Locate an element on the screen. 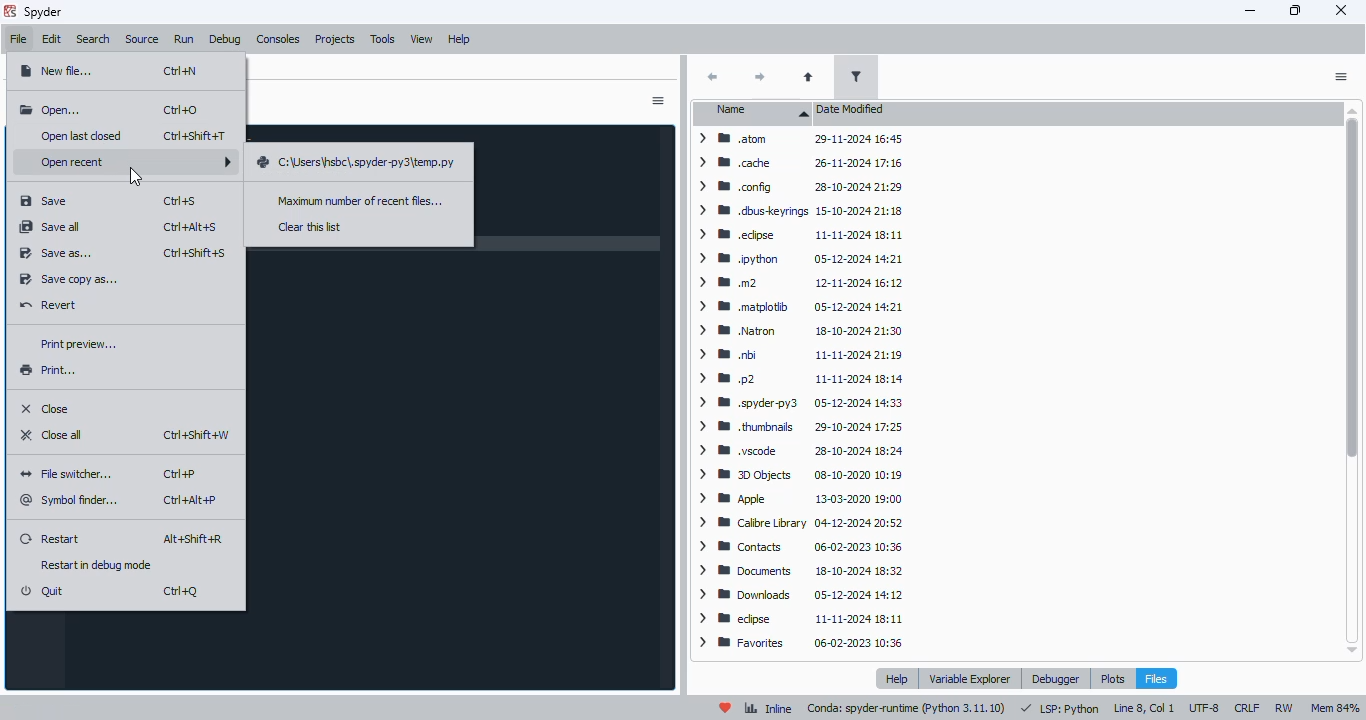 This screenshot has height=720, width=1366. maximize is located at coordinates (1297, 10).